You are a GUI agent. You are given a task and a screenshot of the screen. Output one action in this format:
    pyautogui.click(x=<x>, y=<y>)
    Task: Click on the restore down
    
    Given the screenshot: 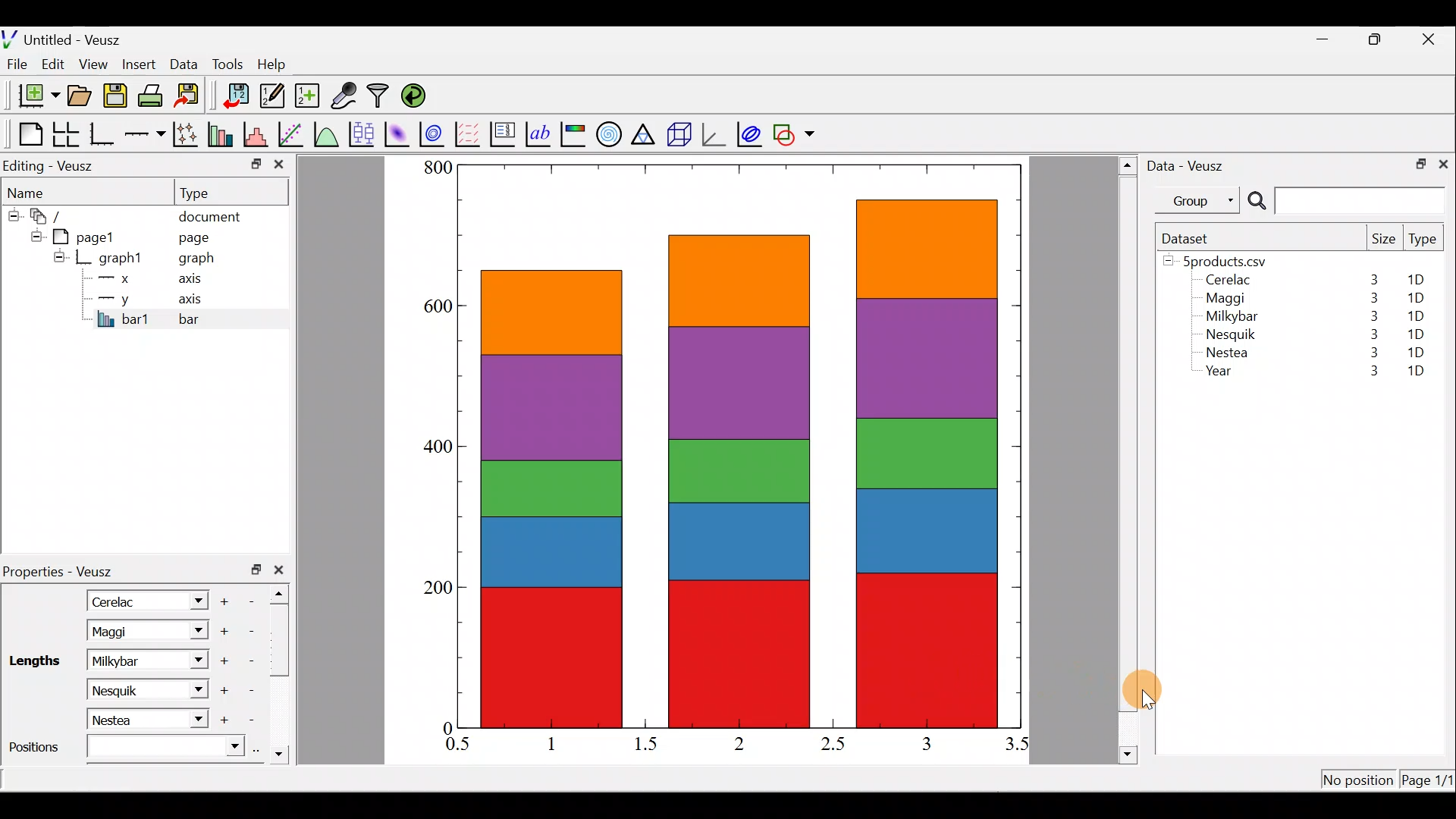 What is the action you would take?
    pyautogui.click(x=1416, y=162)
    